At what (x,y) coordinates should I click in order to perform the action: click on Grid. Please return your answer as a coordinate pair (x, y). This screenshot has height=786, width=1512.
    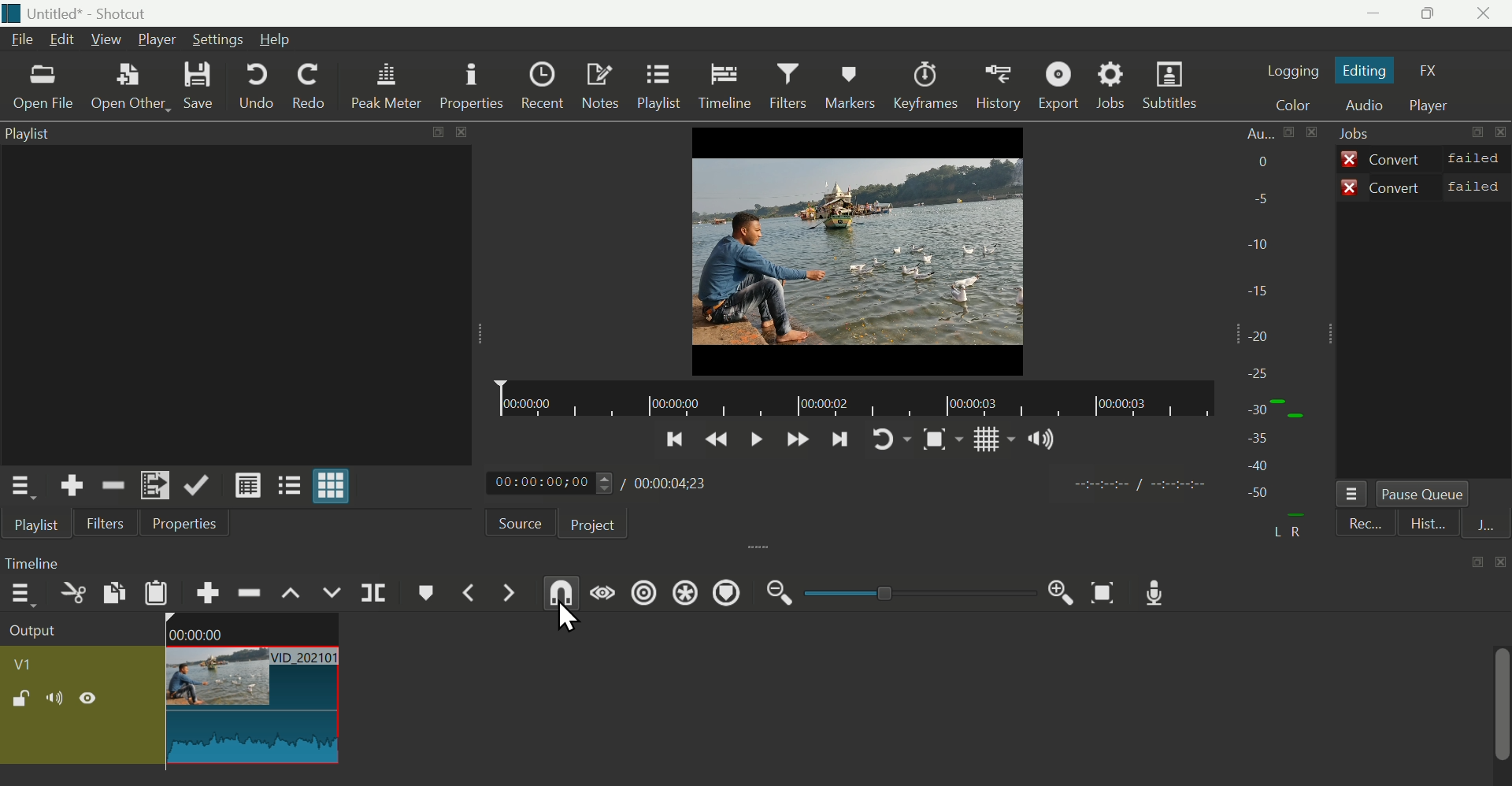
    Looking at the image, I should click on (985, 442).